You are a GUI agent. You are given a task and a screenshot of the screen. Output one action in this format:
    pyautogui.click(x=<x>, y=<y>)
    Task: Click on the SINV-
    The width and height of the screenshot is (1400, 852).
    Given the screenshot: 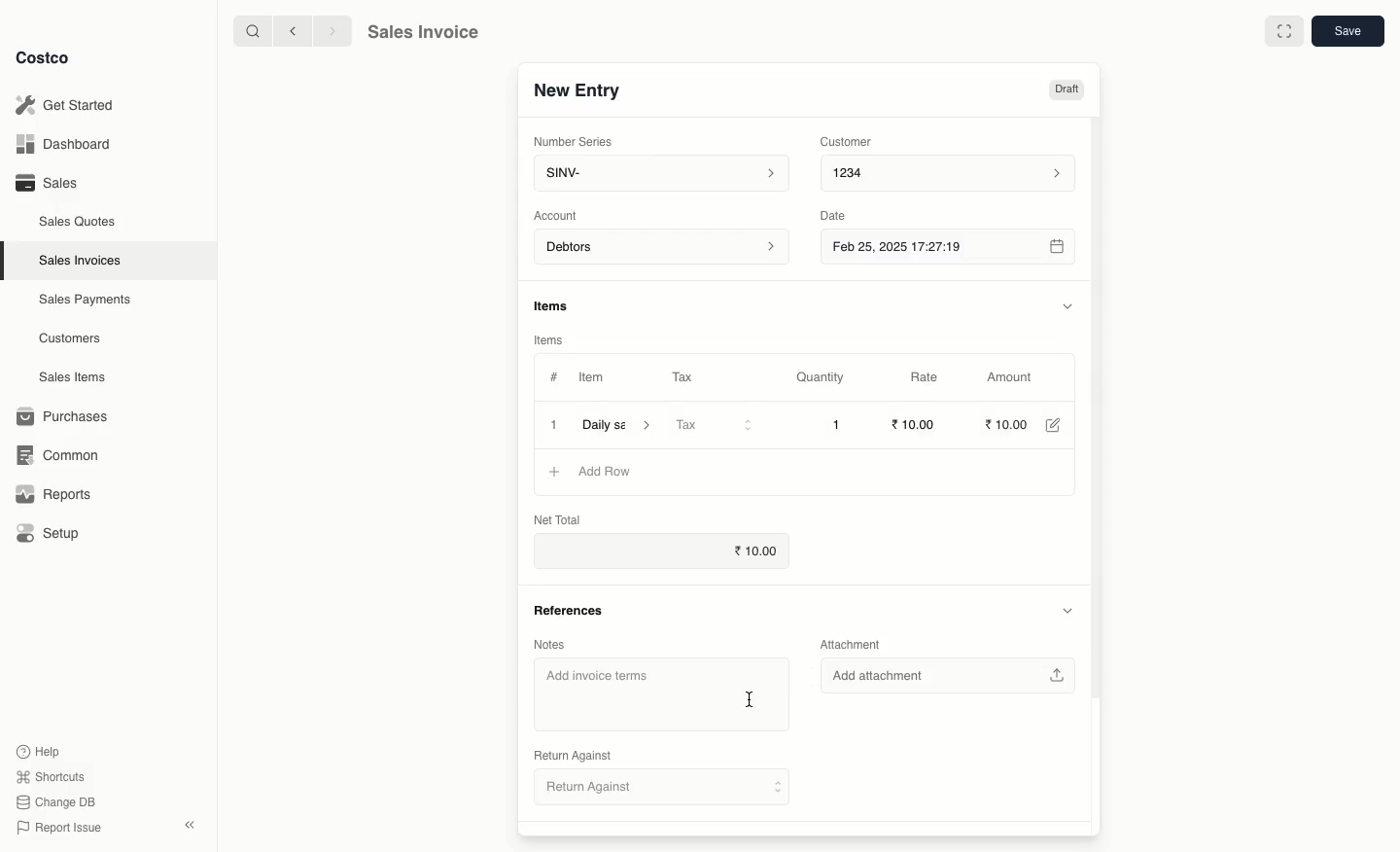 What is the action you would take?
    pyautogui.click(x=663, y=174)
    